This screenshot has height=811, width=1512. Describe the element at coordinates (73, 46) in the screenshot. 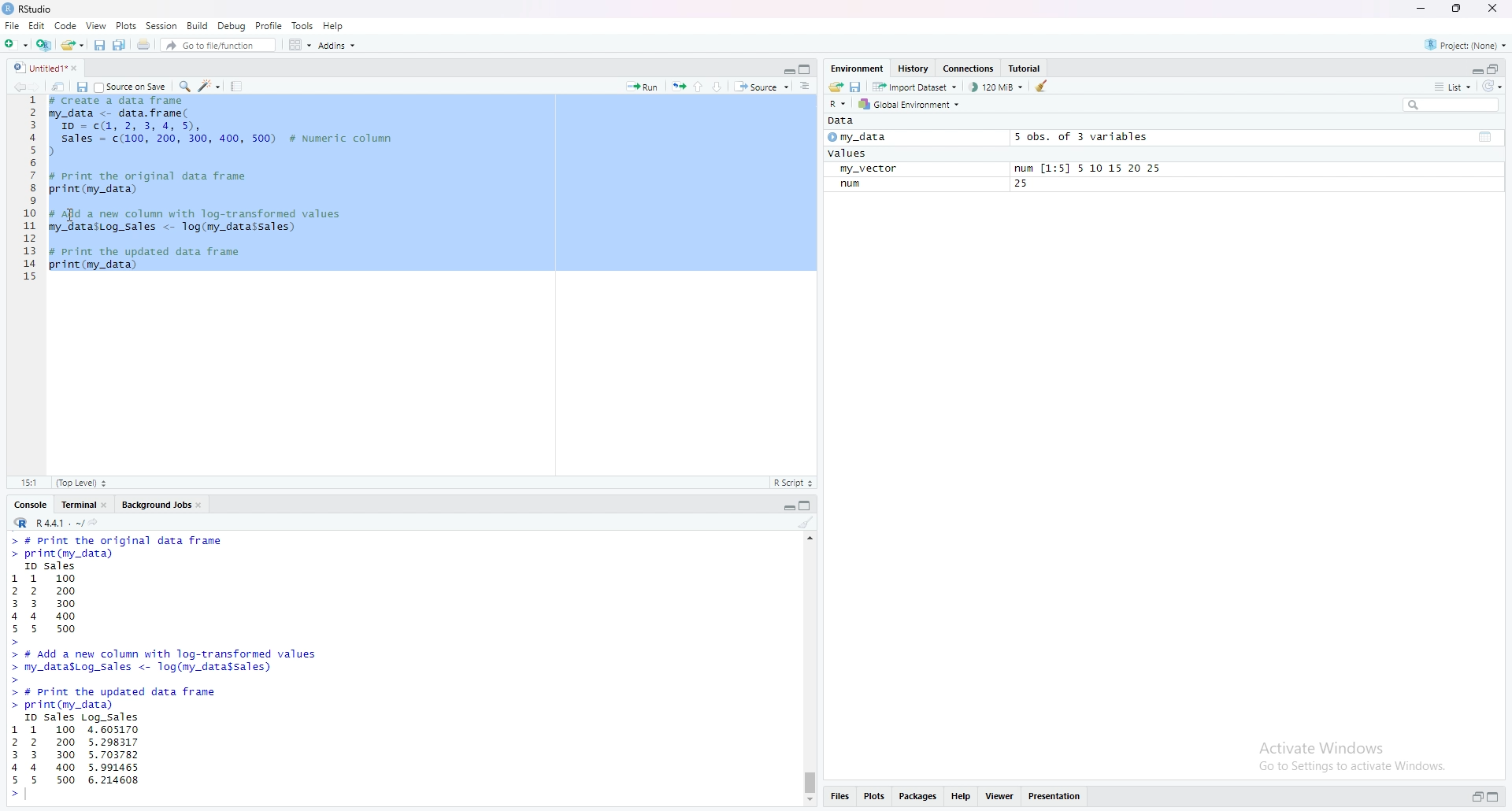

I see `Open an existing file` at that location.